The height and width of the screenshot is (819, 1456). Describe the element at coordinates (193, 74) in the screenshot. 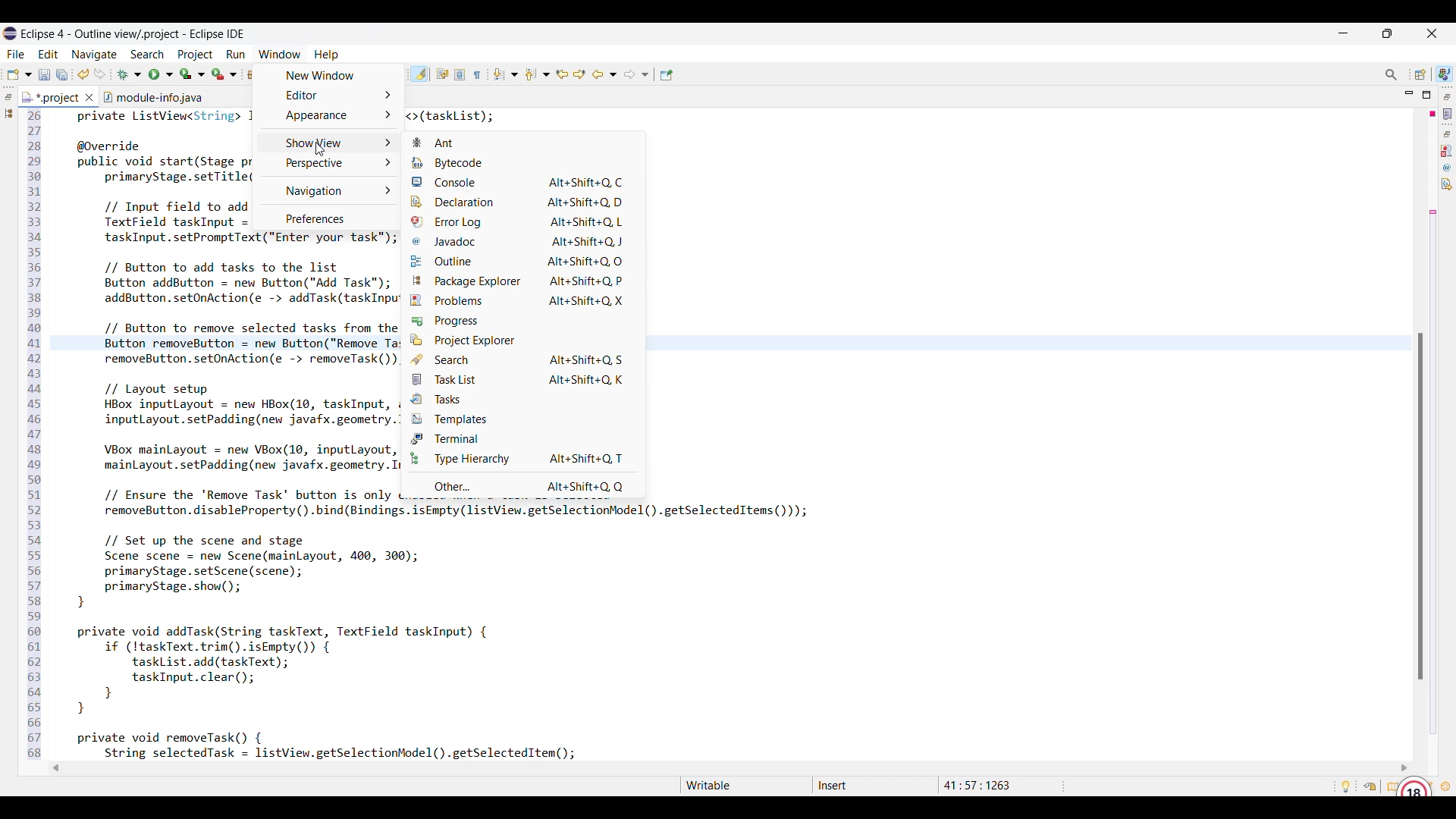

I see `Coverage options` at that location.